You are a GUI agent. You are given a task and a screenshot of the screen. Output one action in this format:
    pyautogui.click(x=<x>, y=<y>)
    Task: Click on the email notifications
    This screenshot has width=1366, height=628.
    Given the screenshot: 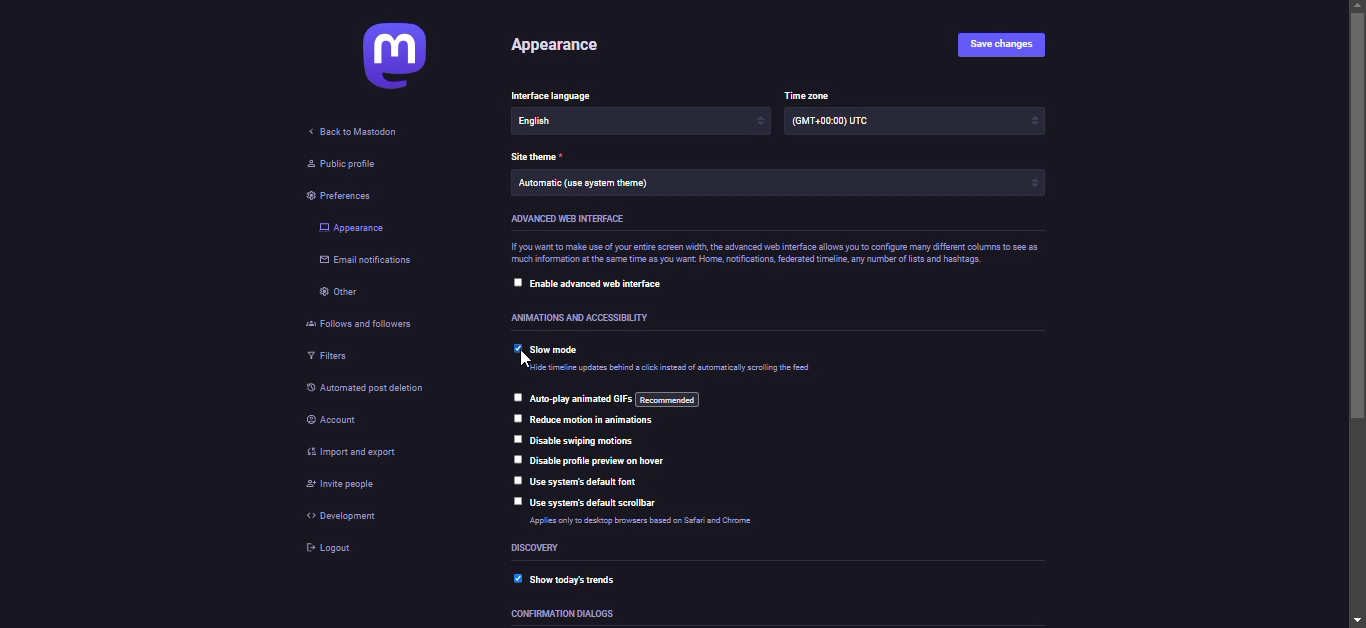 What is the action you would take?
    pyautogui.click(x=368, y=263)
    